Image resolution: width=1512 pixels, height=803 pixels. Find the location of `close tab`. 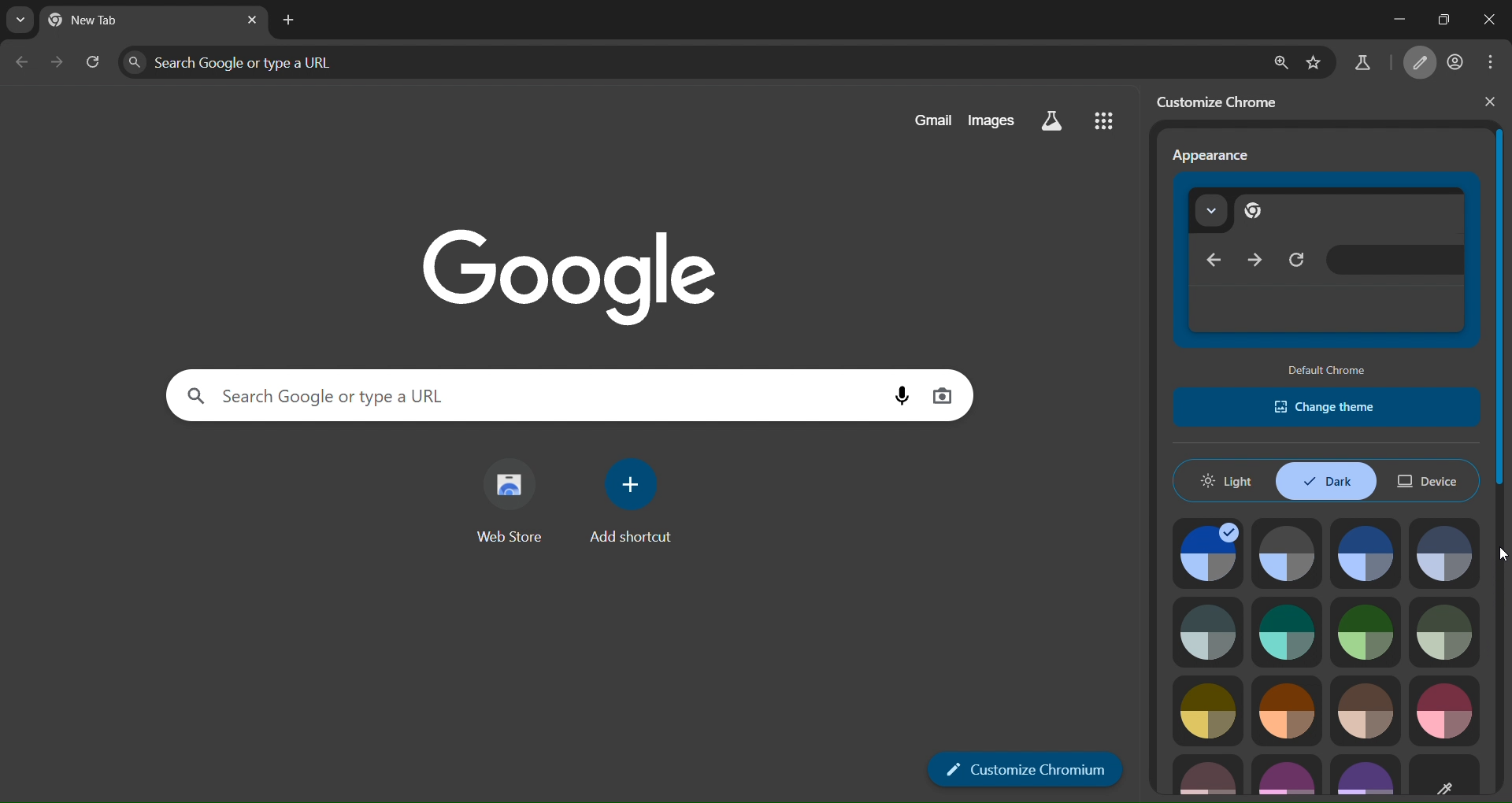

close tab is located at coordinates (252, 20).